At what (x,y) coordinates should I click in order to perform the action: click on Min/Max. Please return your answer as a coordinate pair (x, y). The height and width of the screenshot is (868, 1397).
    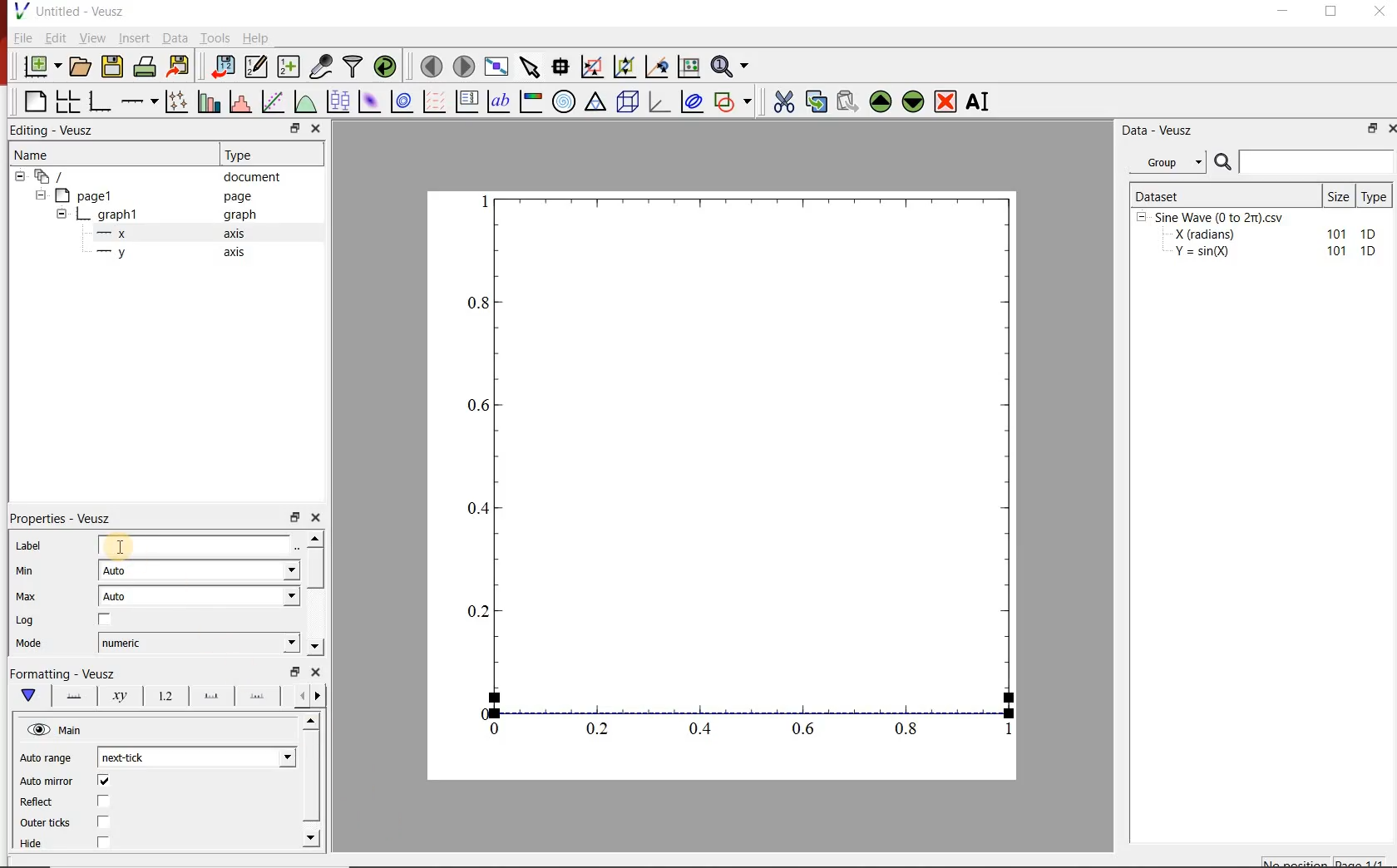
    Looking at the image, I should click on (293, 129).